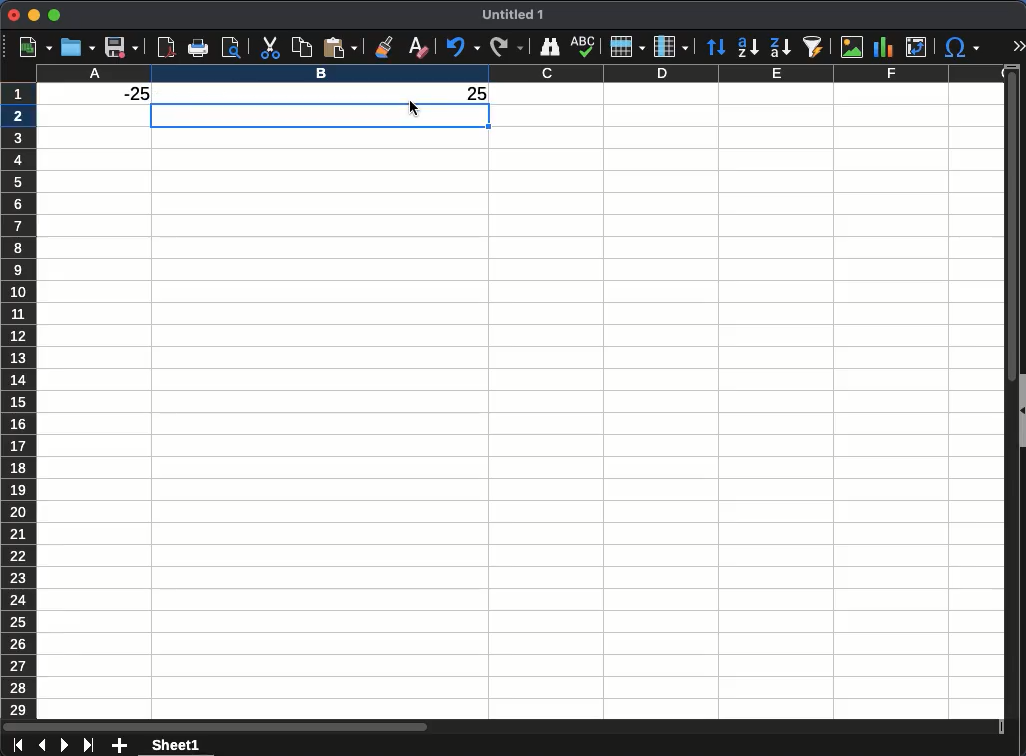 The height and width of the screenshot is (756, 1026). What do you see at coordinates (19, 746) in the screenshot?
I see `first sheet` at bounding box center [19, 746].